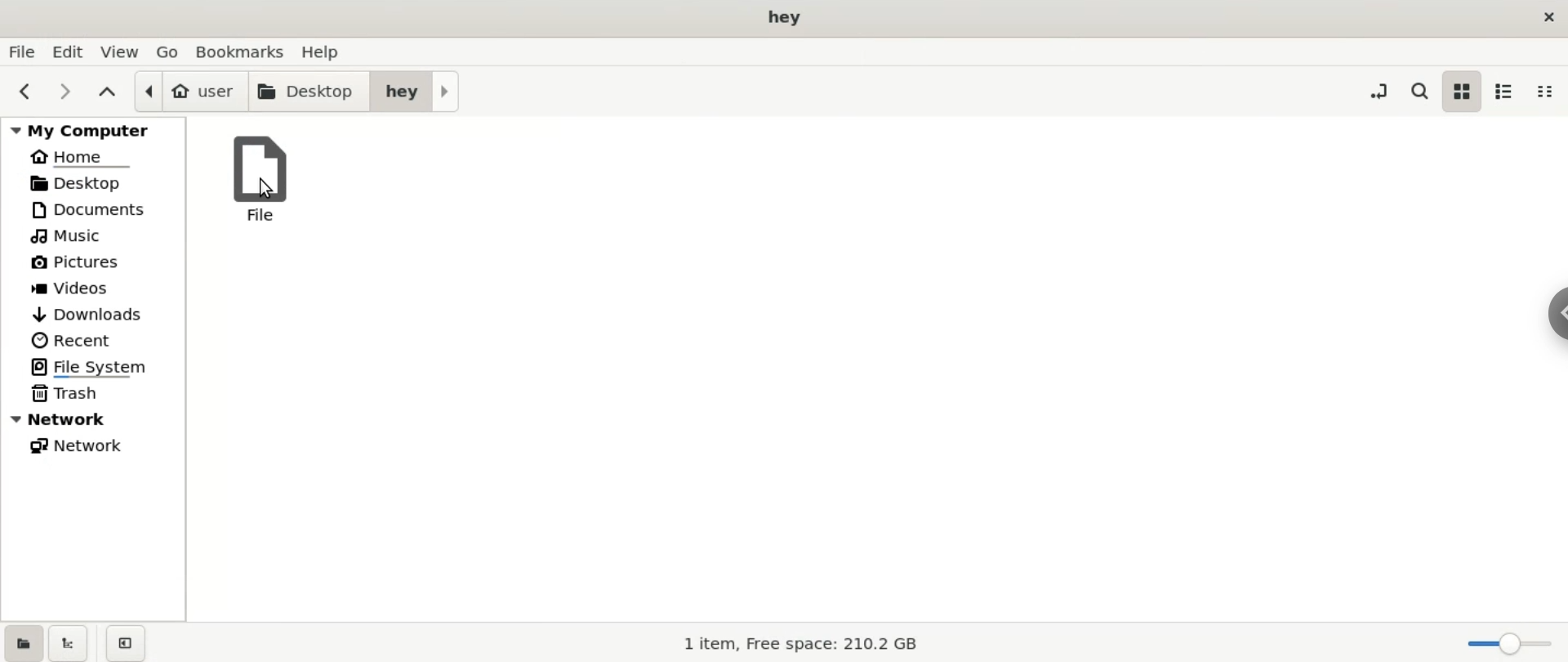 The height and width of the screenshot is (662, 1568). What do you see at coordinates (1540, 19) in the screenshot?
I see `close` at bounding box center [1540, 19].